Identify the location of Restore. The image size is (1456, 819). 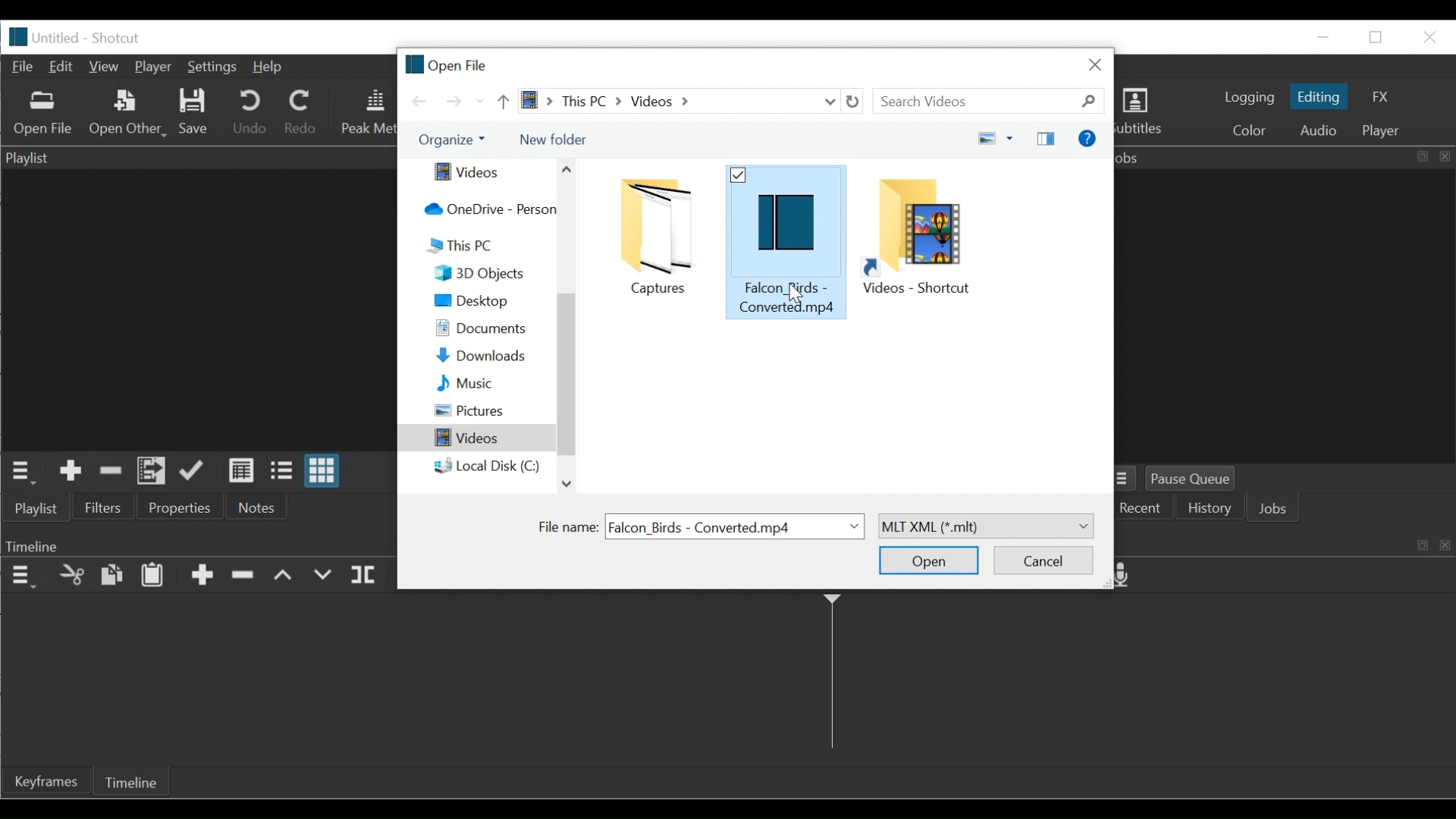
(1377, 38).